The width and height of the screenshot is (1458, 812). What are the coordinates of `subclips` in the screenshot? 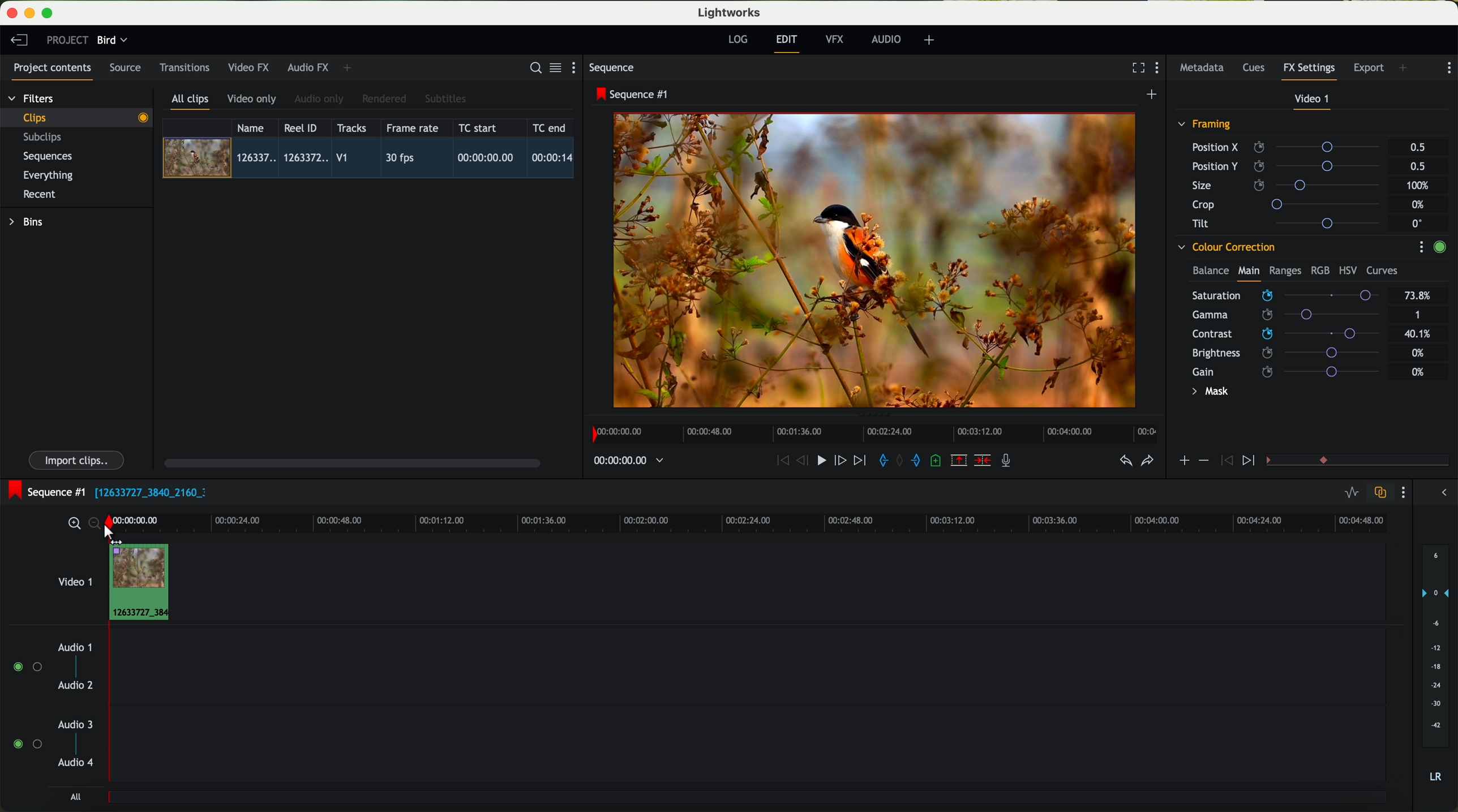 It's located at (45, 138).